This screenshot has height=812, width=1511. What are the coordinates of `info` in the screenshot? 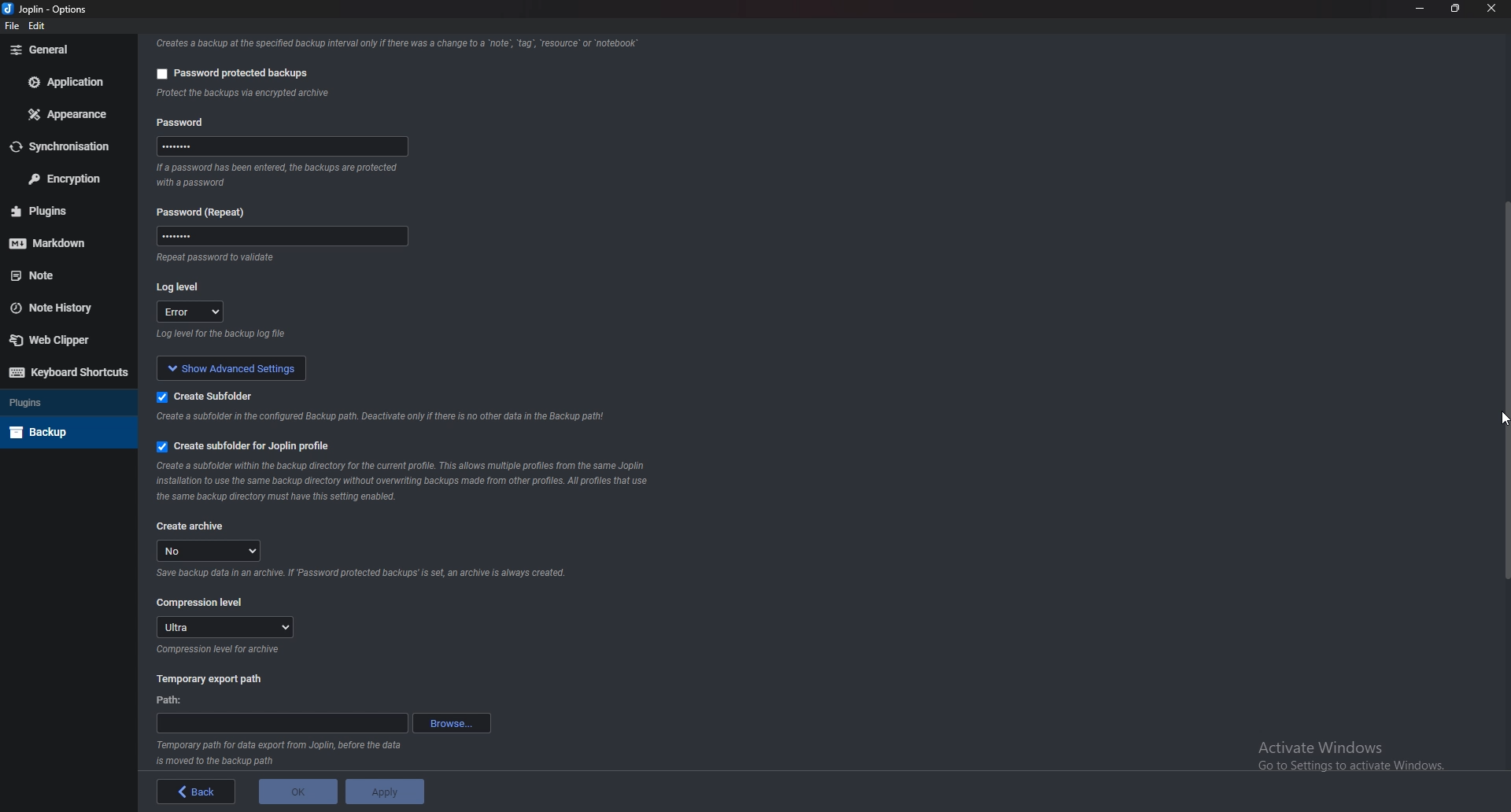 It's located at (323, 94).